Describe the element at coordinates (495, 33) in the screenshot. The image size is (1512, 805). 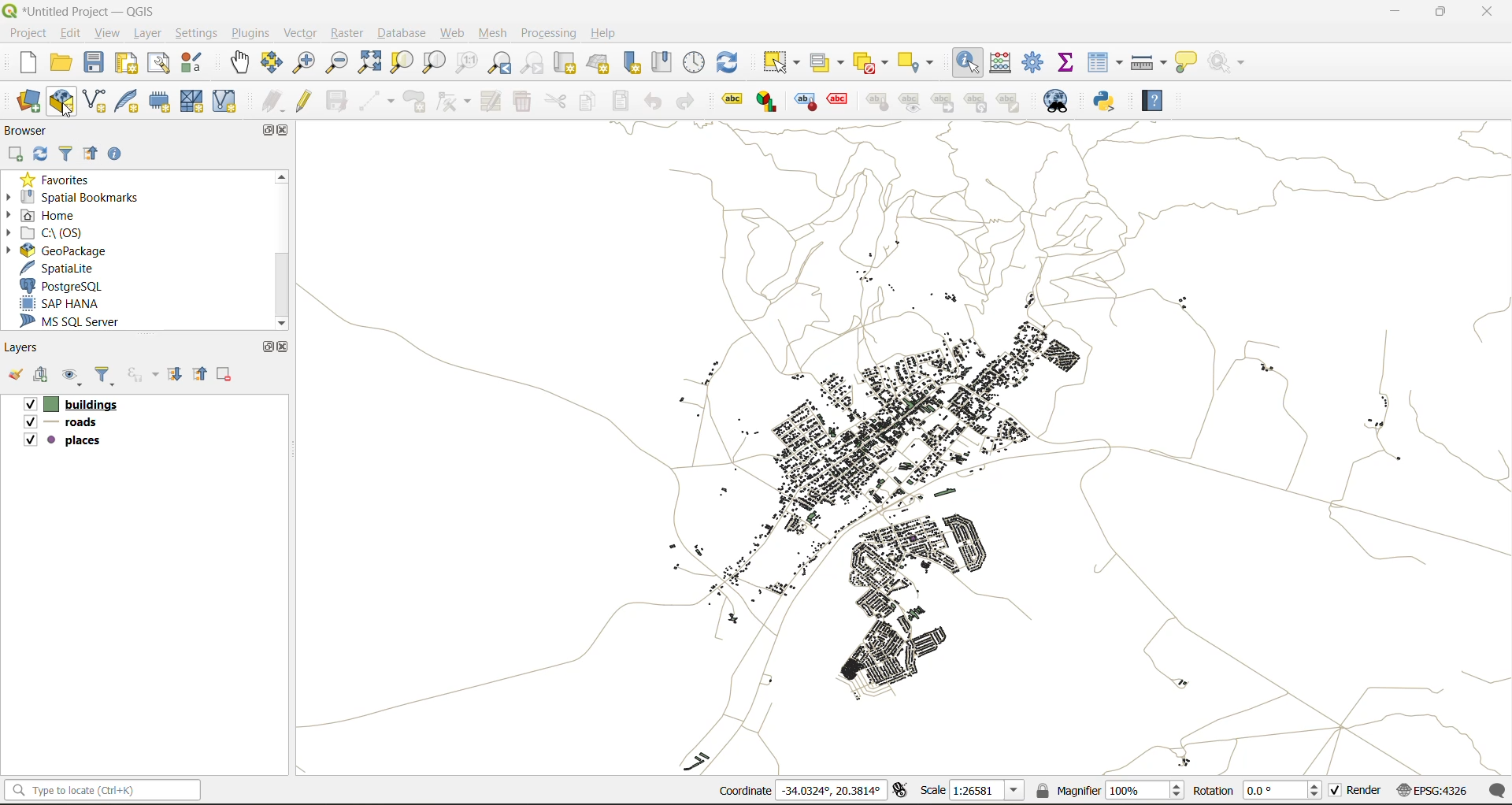
I see `mesh` at that location.